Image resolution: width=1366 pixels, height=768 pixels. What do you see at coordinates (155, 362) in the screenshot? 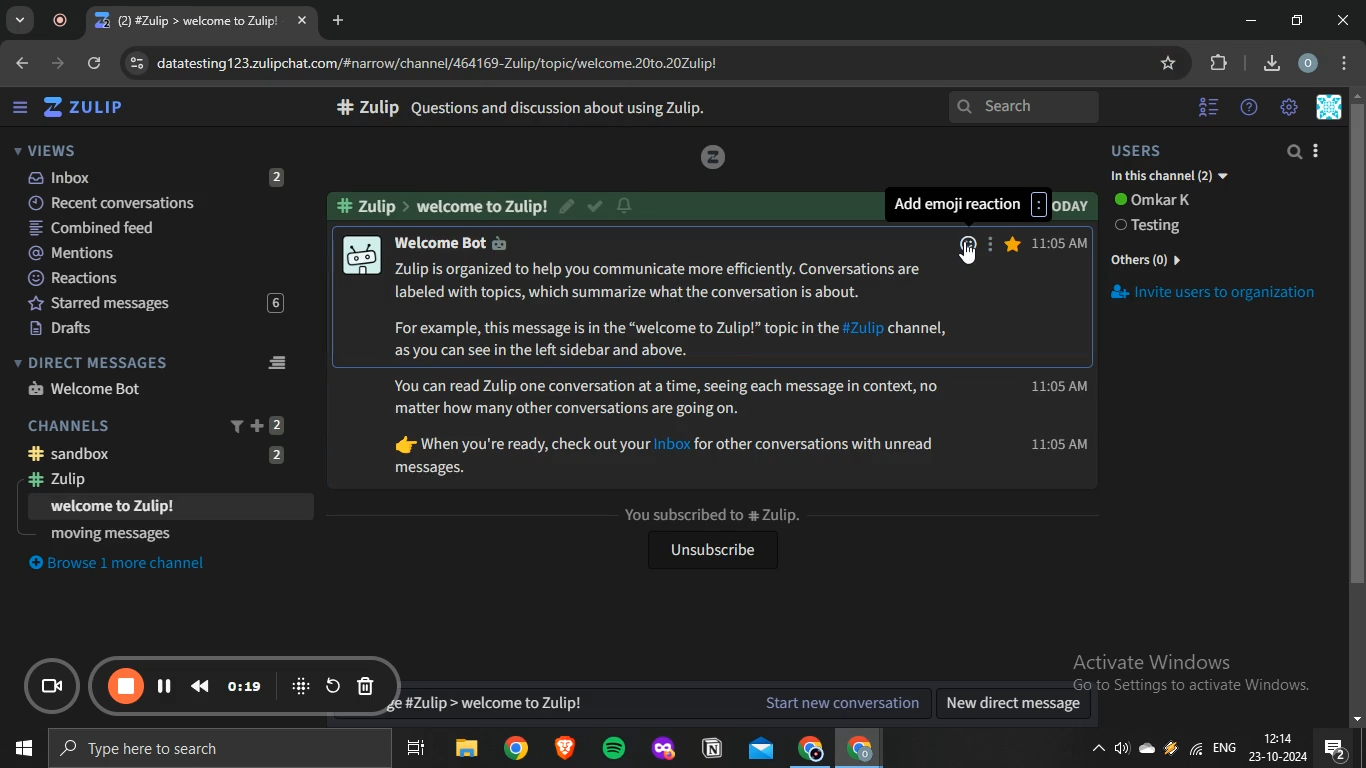
I see `direct messages` at bounding box center [155, 362].